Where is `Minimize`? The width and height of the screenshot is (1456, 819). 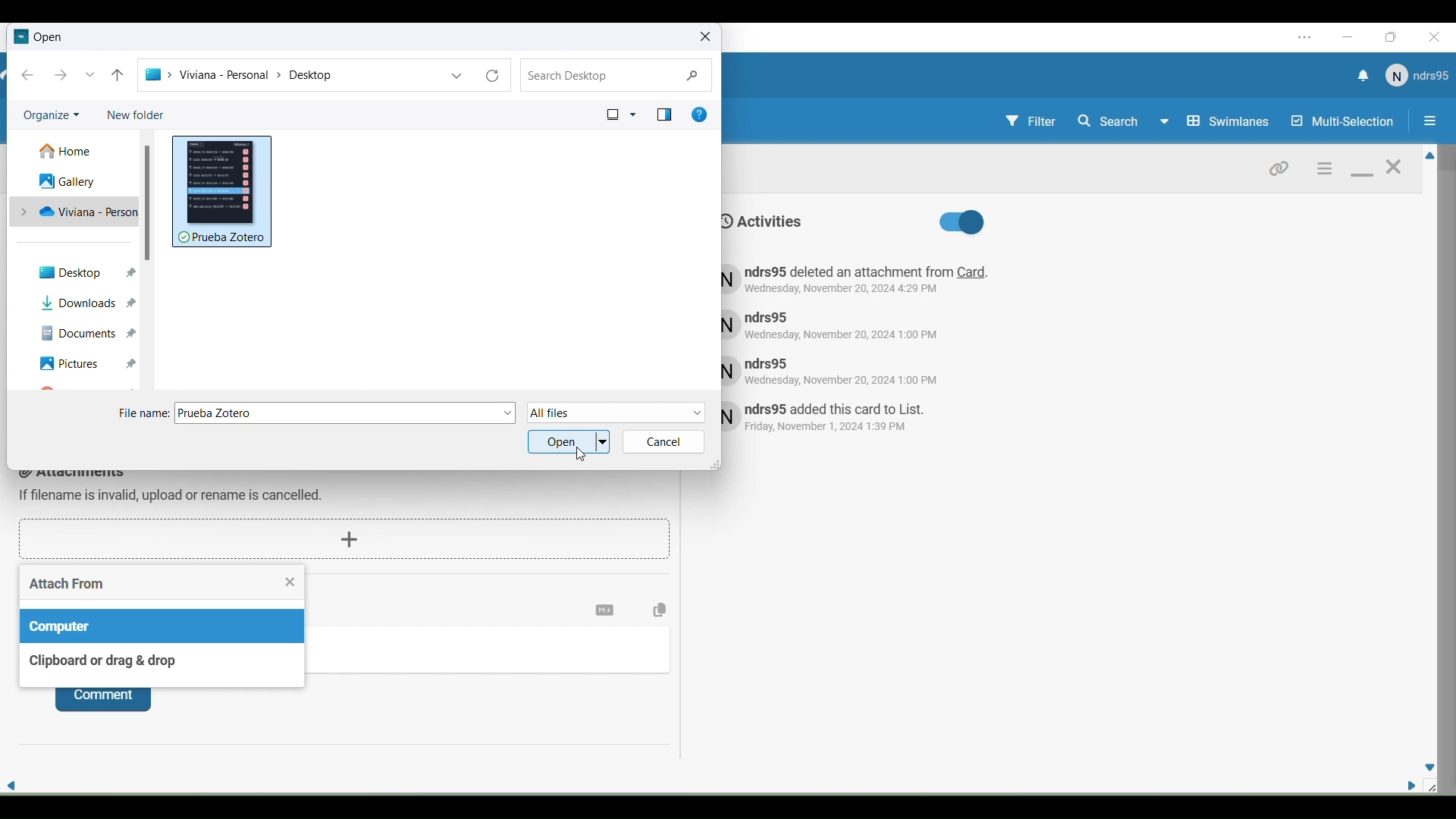 Minimize is located at coordinates (1349, 37).